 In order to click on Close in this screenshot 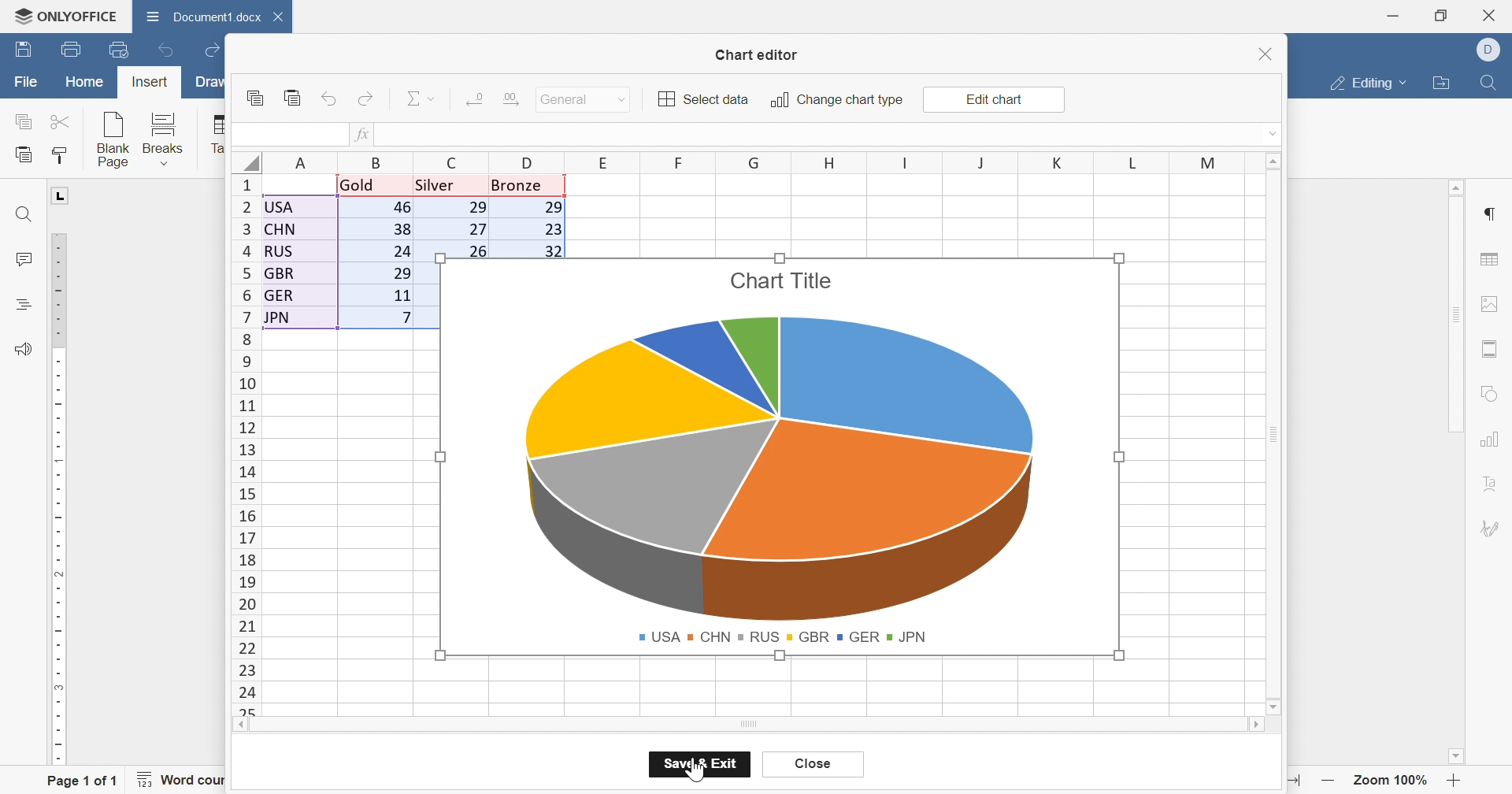, I will do `click(1266, 52)`.